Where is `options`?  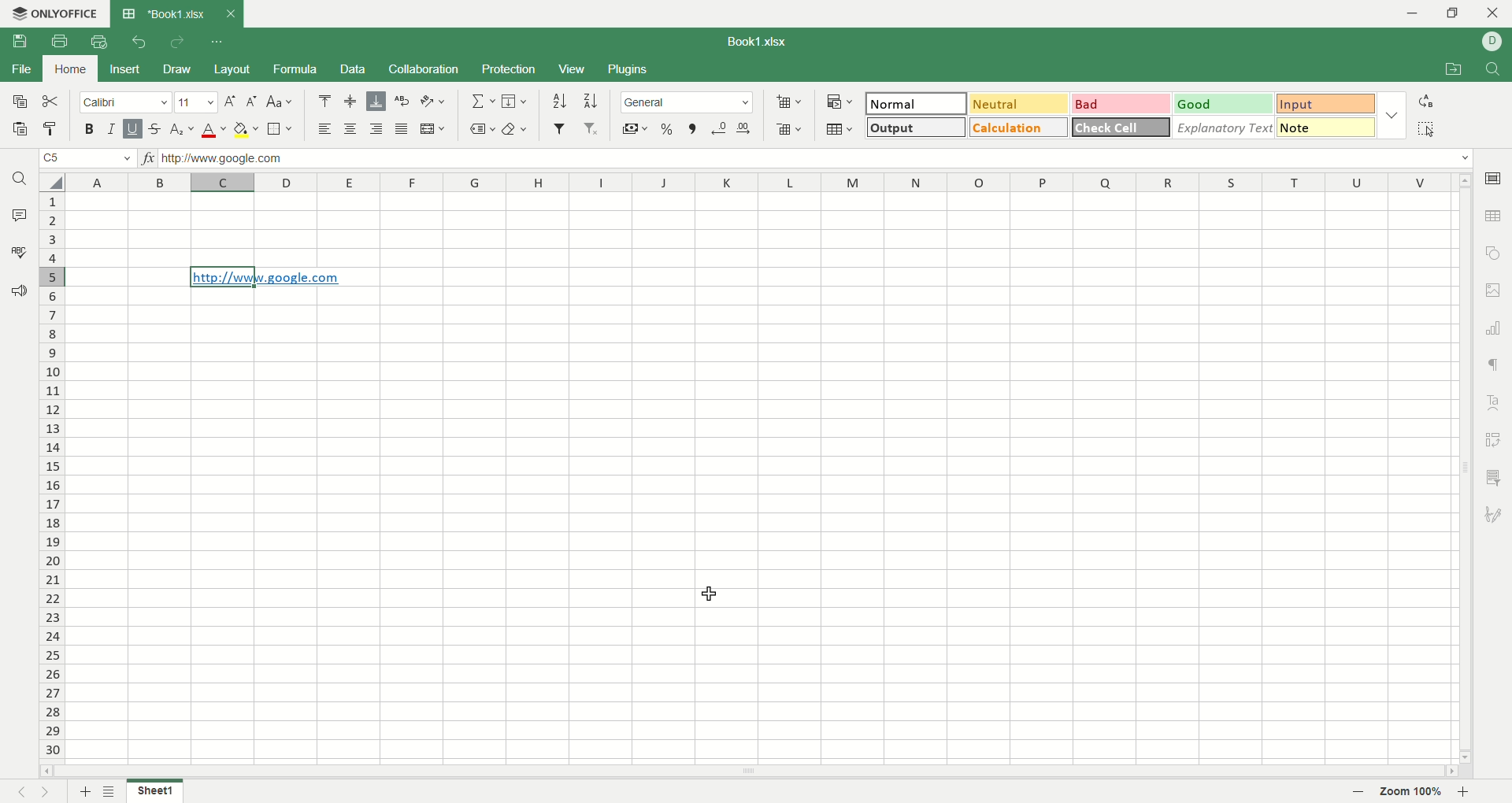 options is located at coordinates (1395, 113).